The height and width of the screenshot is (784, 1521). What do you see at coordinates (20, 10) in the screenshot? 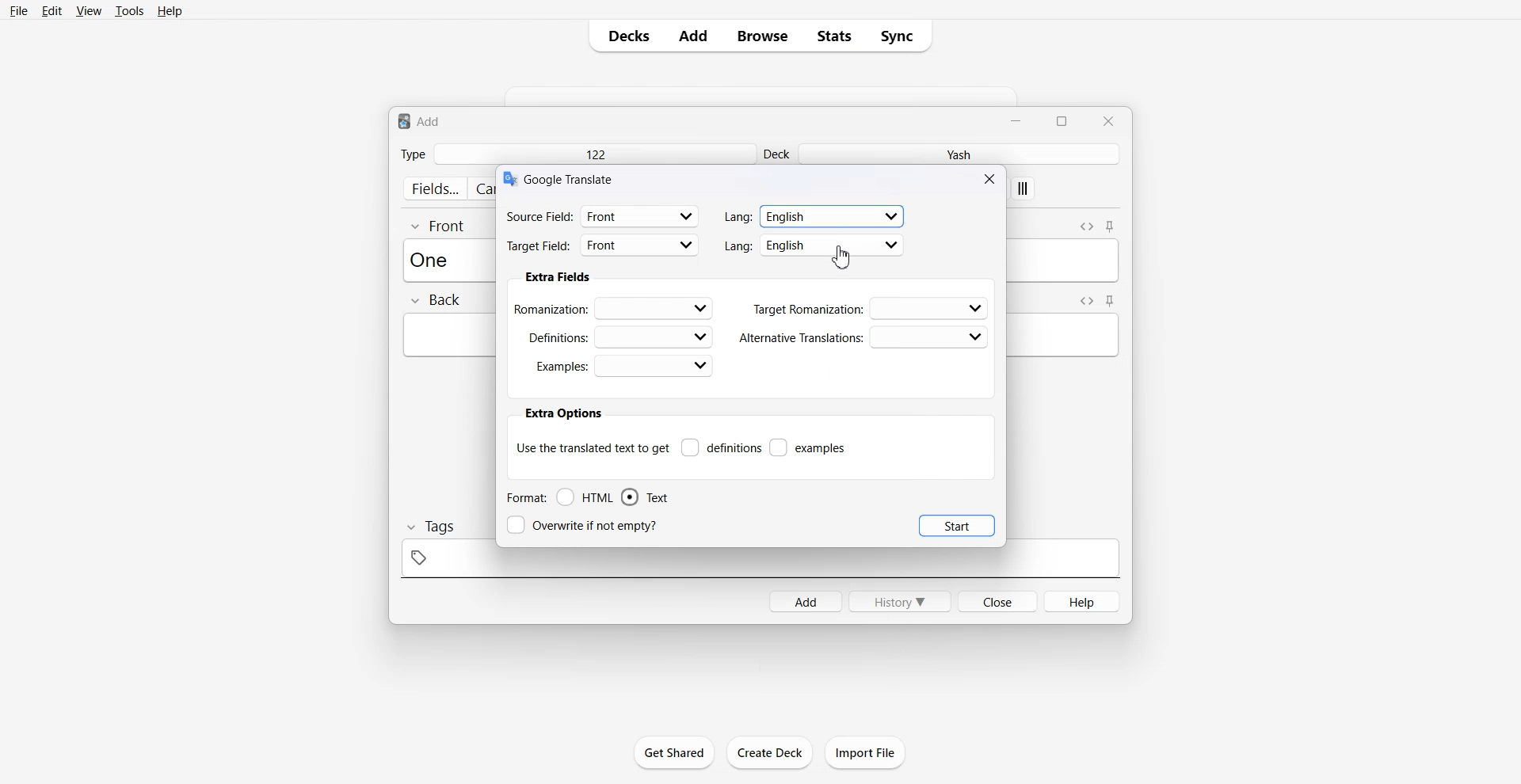
I see `File` at bounding box center [20, 10].